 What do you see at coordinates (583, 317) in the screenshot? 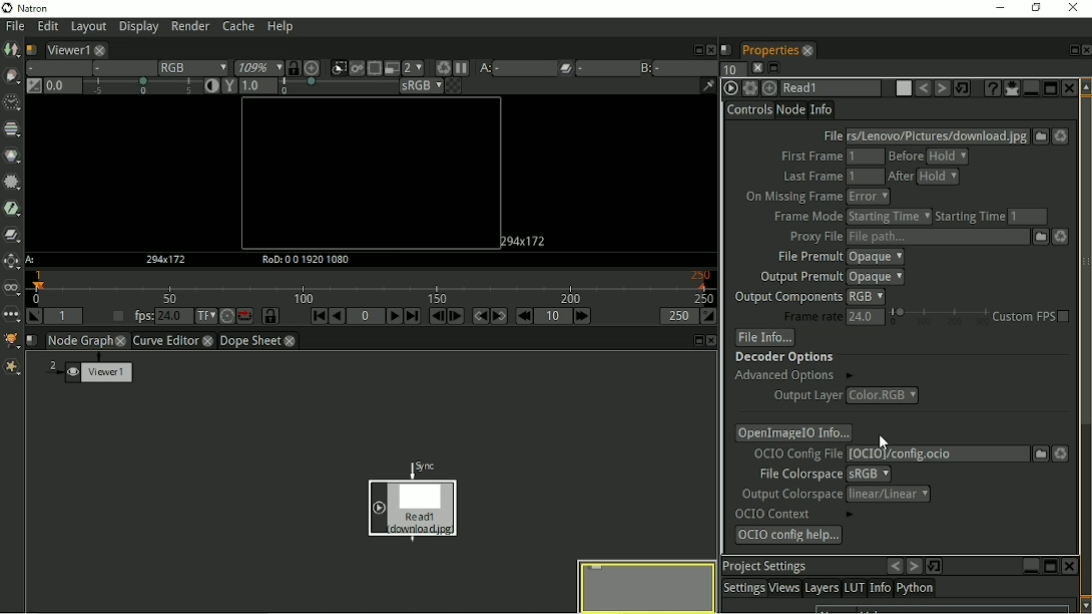
I see `Next increment` at bounding box center [583, 317].